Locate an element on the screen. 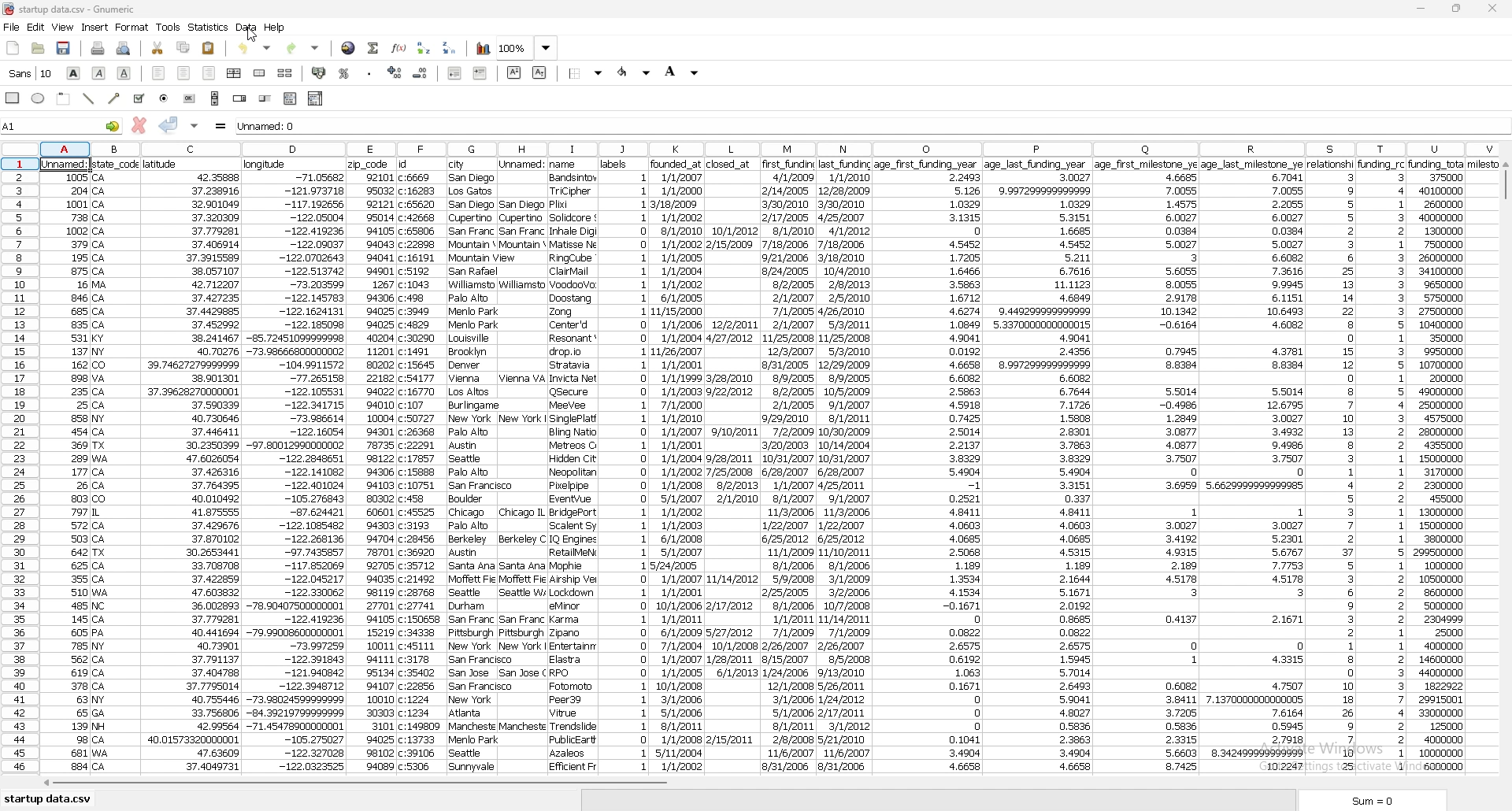 This screenshot has height=811, width=1512. daat is located at coordinates (423, 465).